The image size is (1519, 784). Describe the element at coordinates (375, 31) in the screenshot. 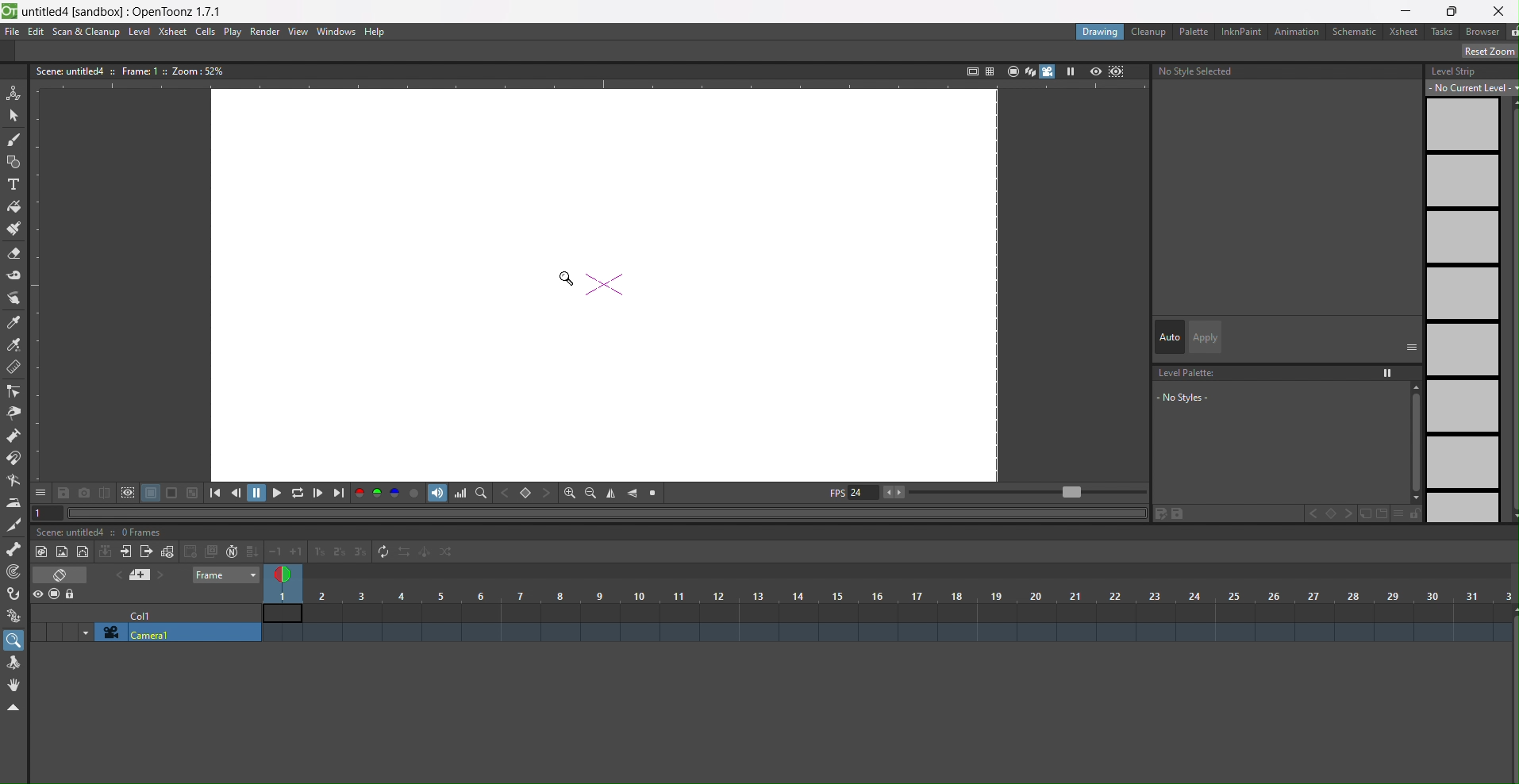

I see `help` at that location.